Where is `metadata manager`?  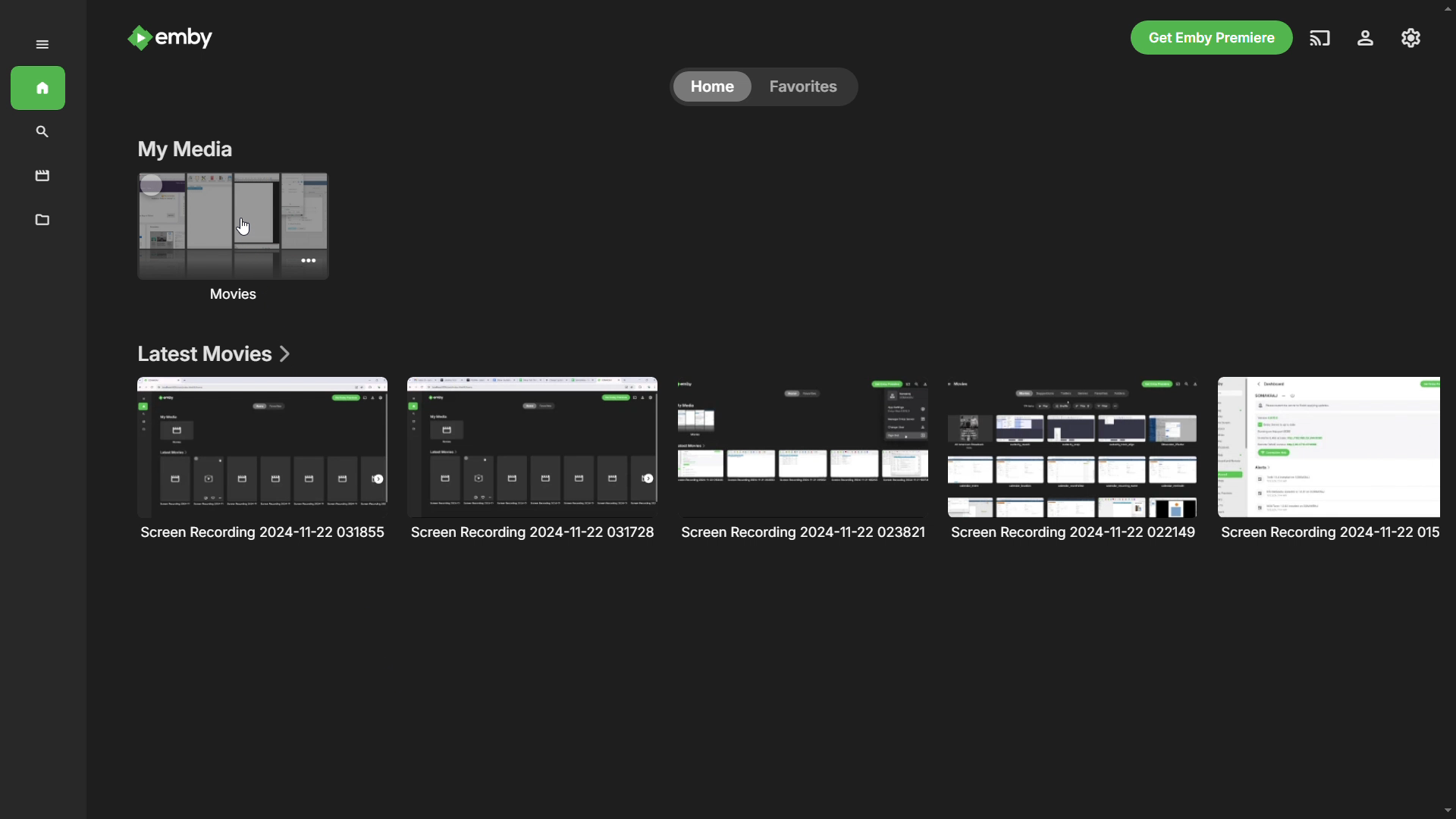 metadata manager is located at coordinates (44, 219).